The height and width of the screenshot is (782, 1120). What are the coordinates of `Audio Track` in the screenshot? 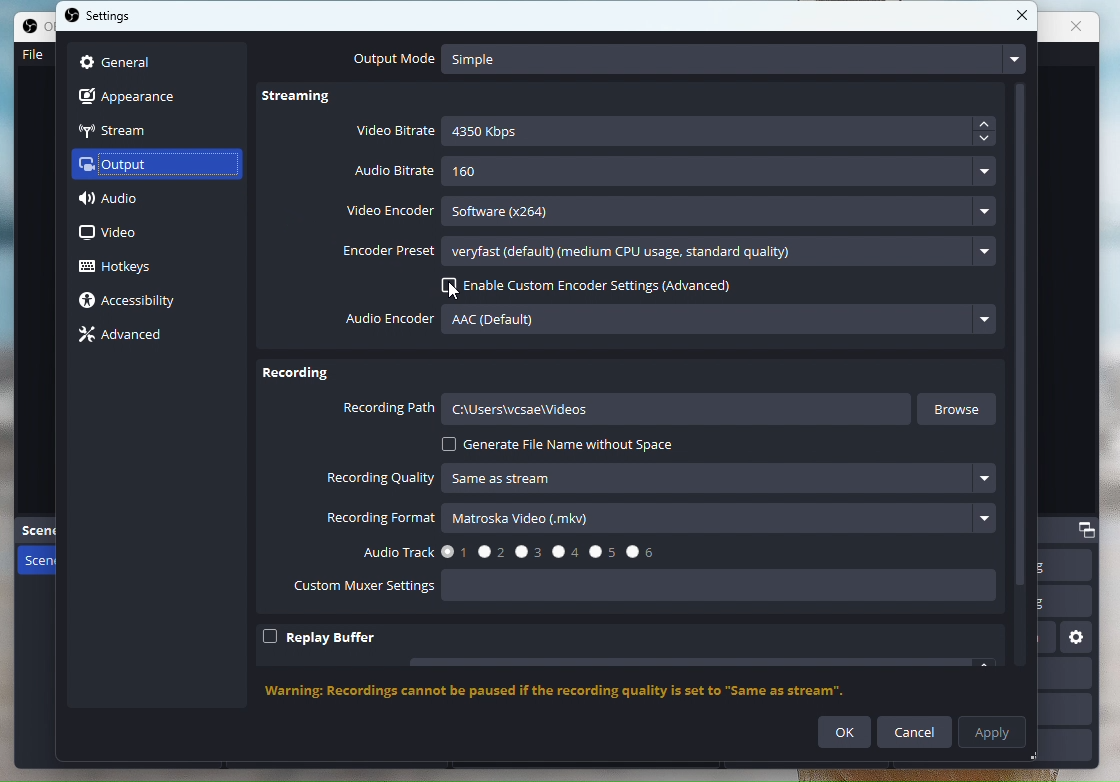 It's located at (507, 553).